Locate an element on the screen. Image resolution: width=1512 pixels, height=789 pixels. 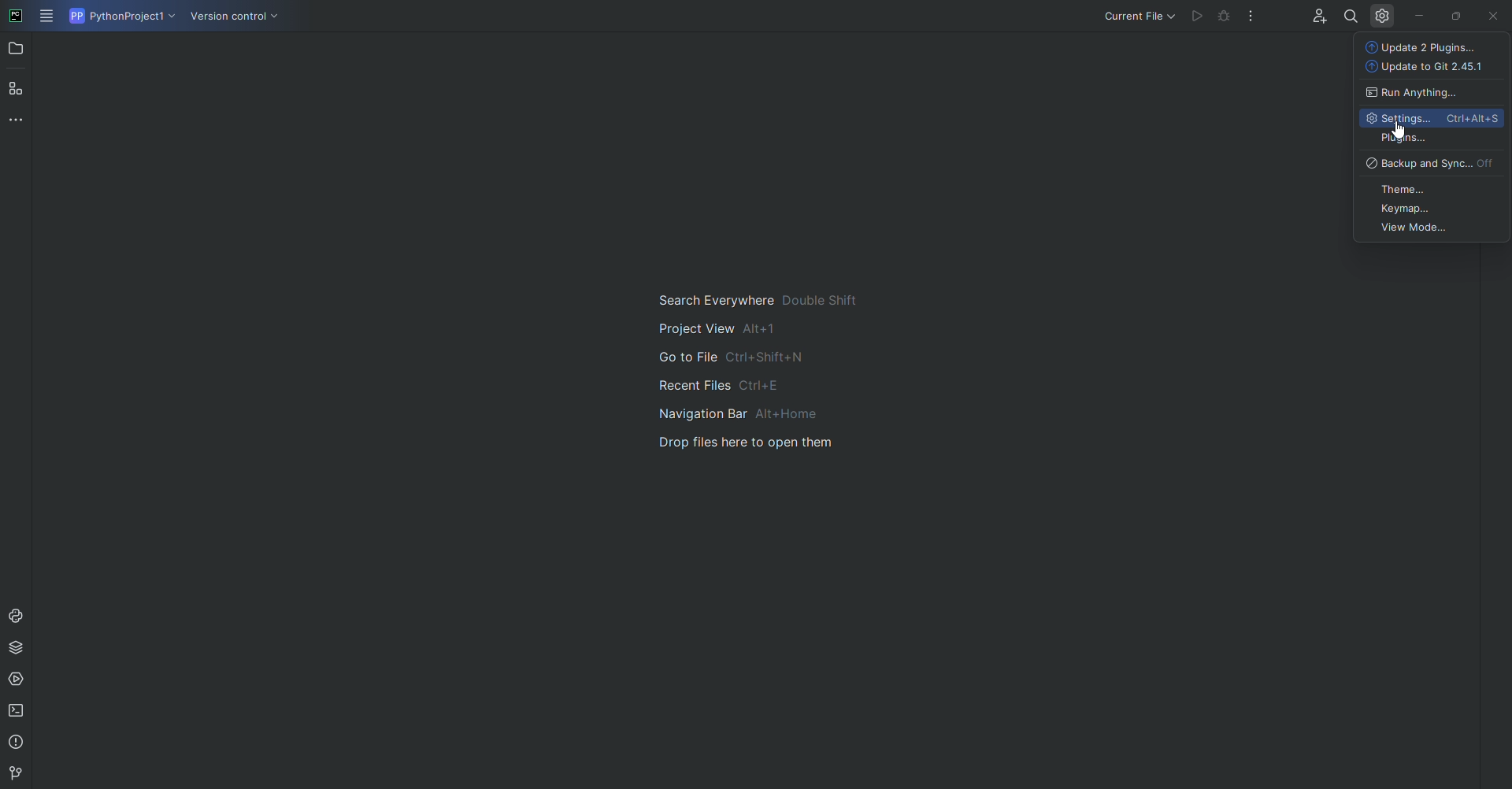
Update 2 Plugins is located at coordinates (1432, 47).